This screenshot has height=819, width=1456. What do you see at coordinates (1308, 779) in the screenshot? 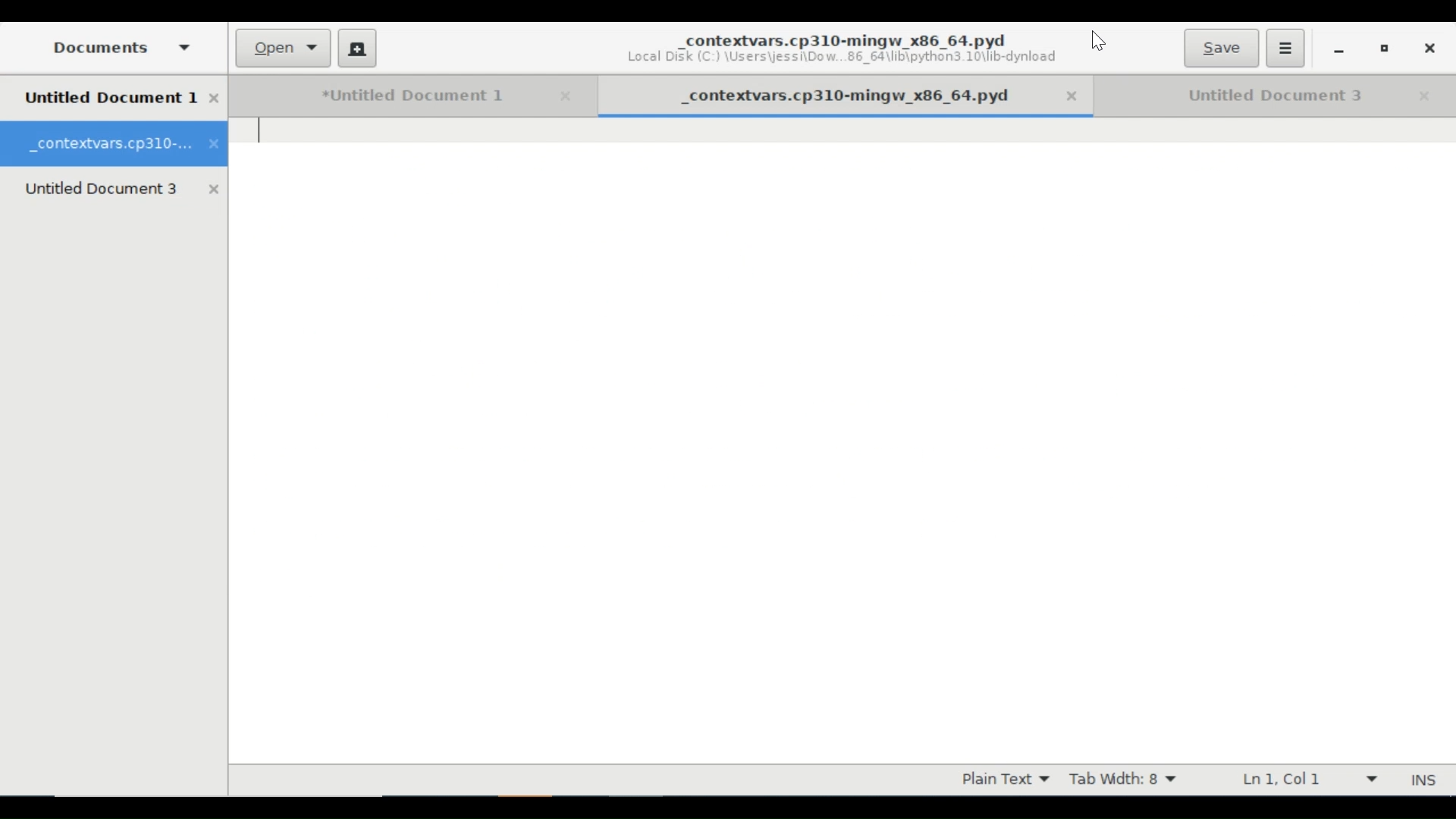
I see `Line & Column Preference` at bounding box center [1308, 779].